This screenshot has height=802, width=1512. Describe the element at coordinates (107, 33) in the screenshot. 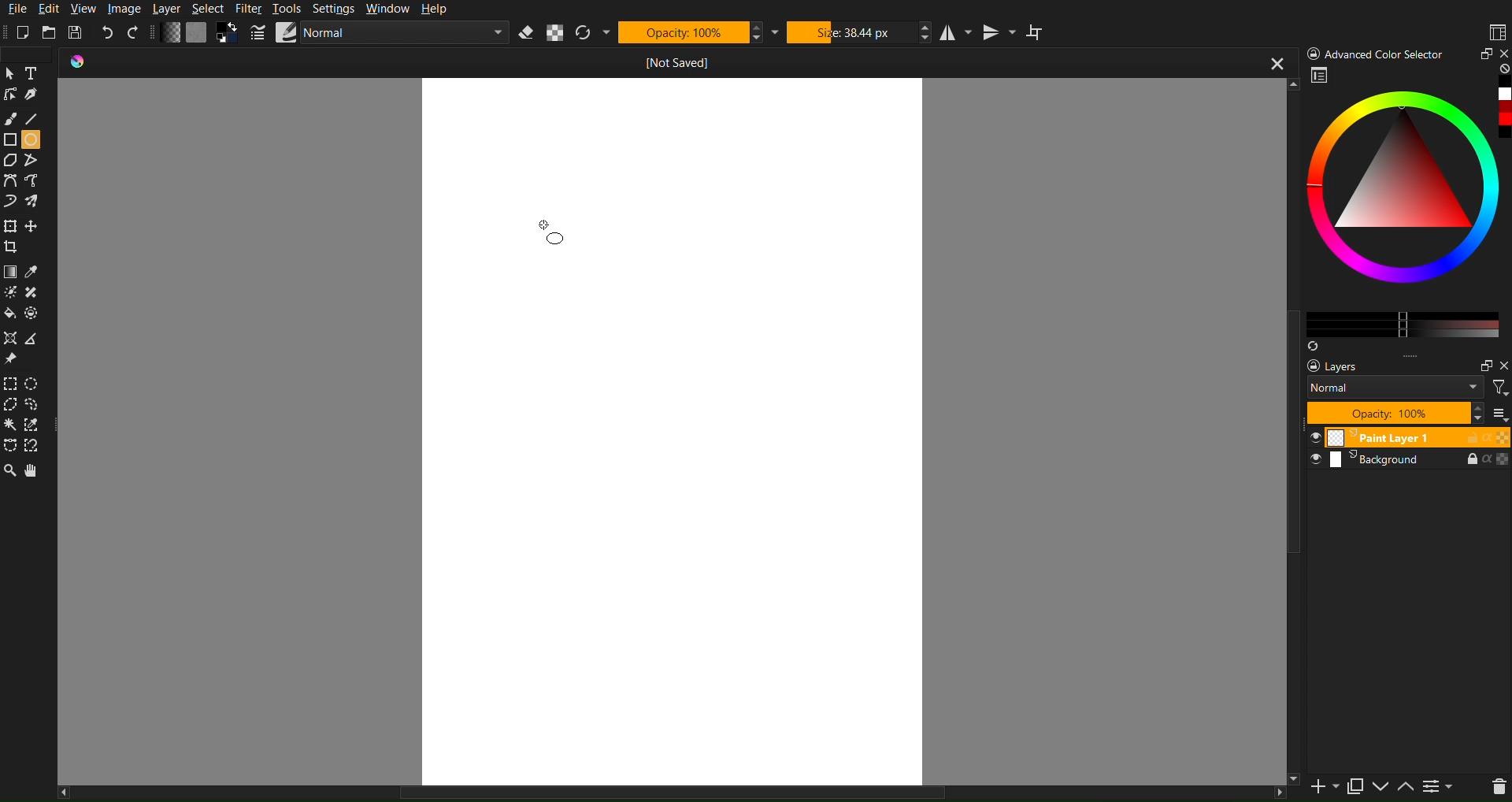

I see `Undo` at that location.